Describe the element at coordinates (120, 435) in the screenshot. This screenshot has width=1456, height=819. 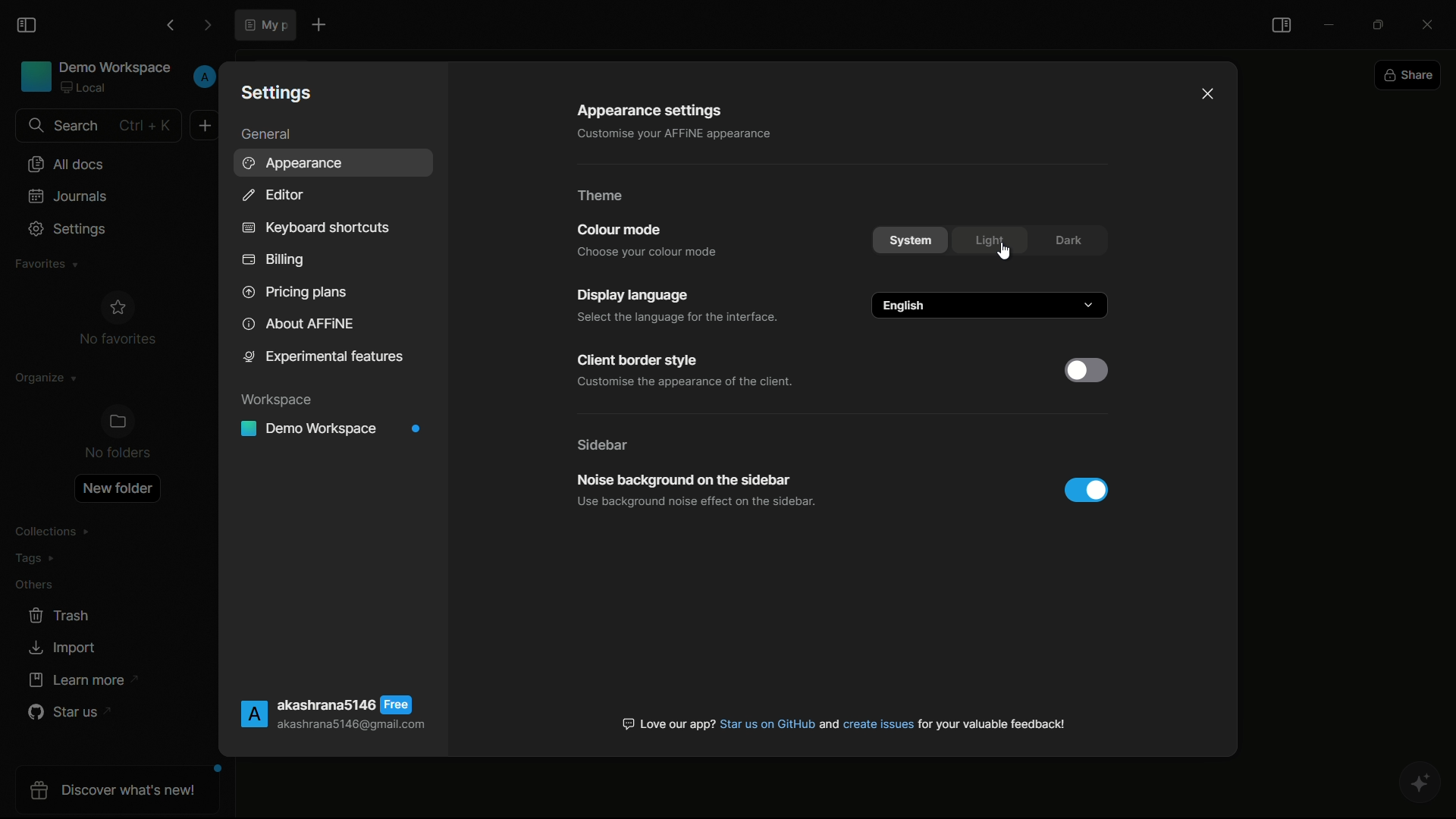
I see `no folders` at that location.